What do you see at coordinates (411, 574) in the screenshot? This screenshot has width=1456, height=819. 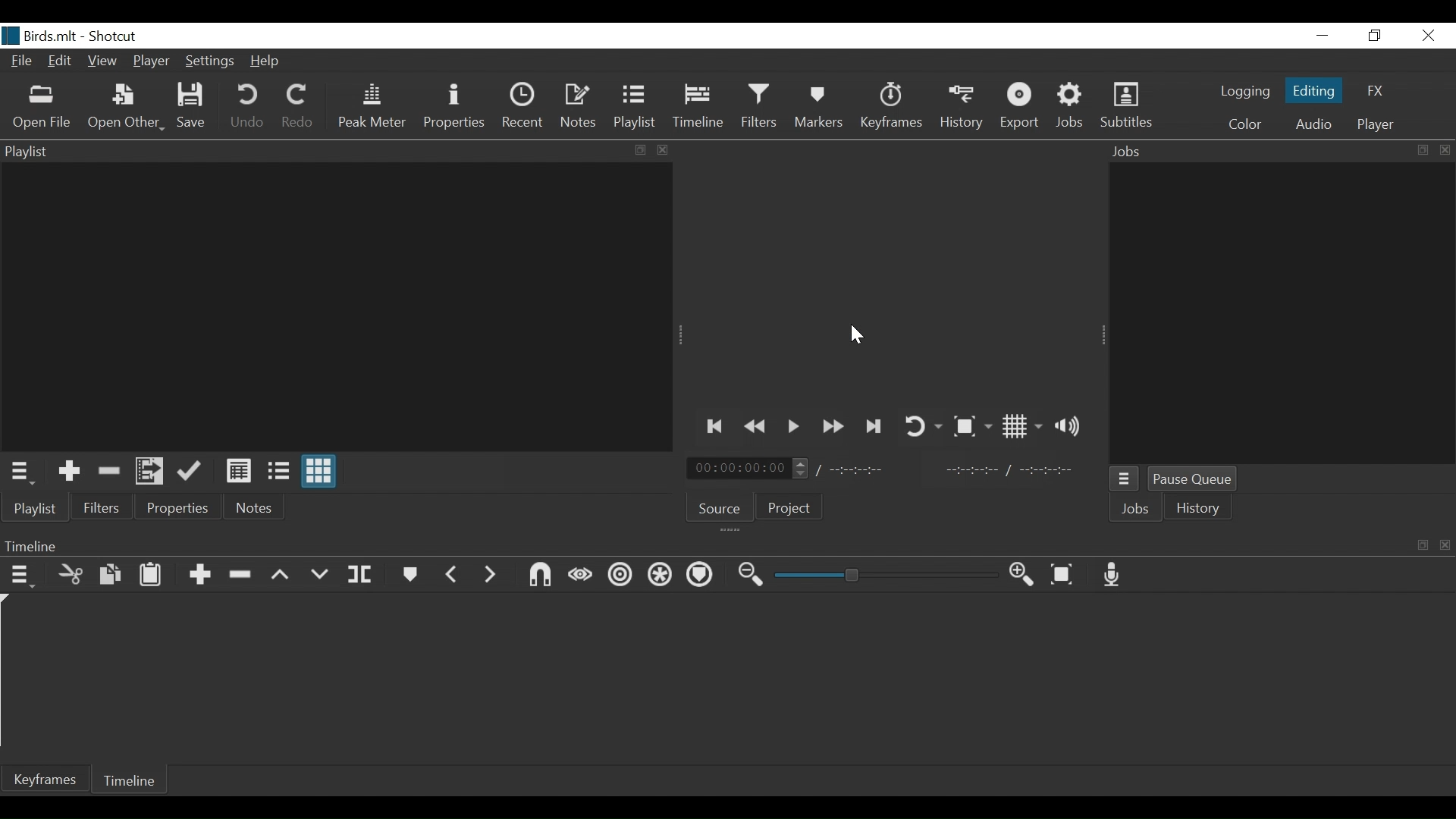 I see `Markers` at bounding box center [411, 574].